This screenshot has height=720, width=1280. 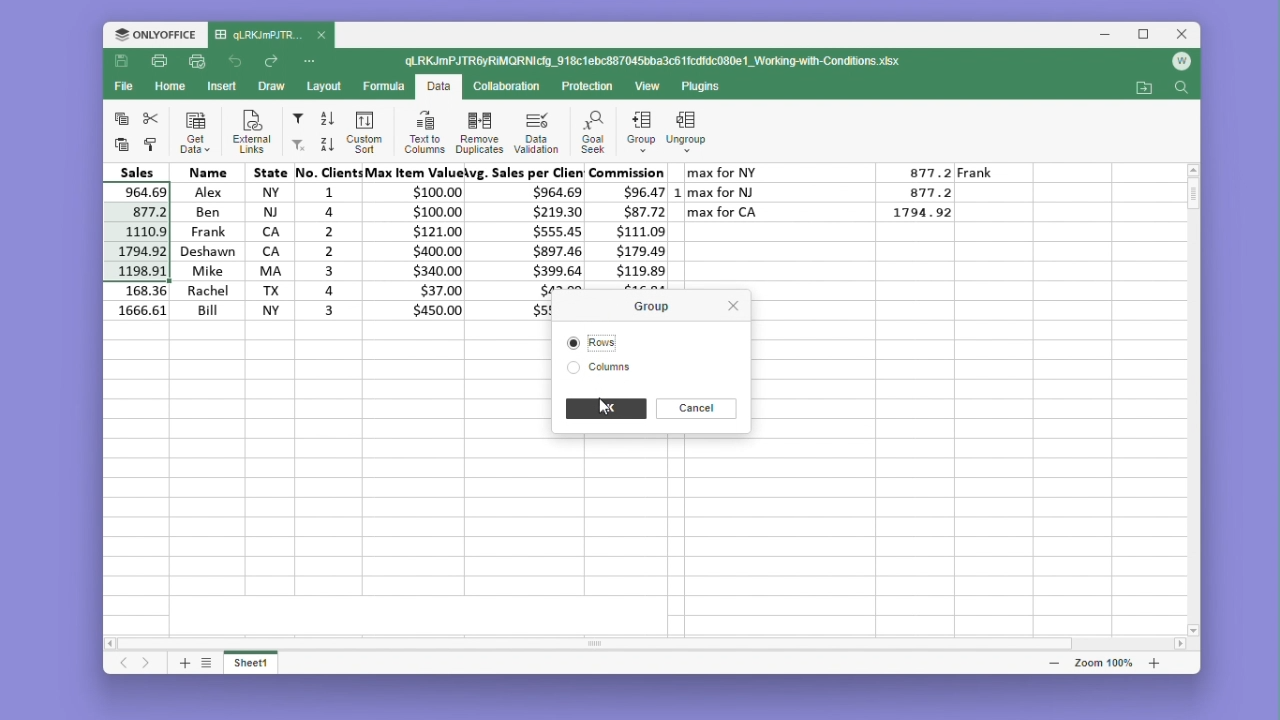 I want to click on quick print, so click(x=198, y=62).